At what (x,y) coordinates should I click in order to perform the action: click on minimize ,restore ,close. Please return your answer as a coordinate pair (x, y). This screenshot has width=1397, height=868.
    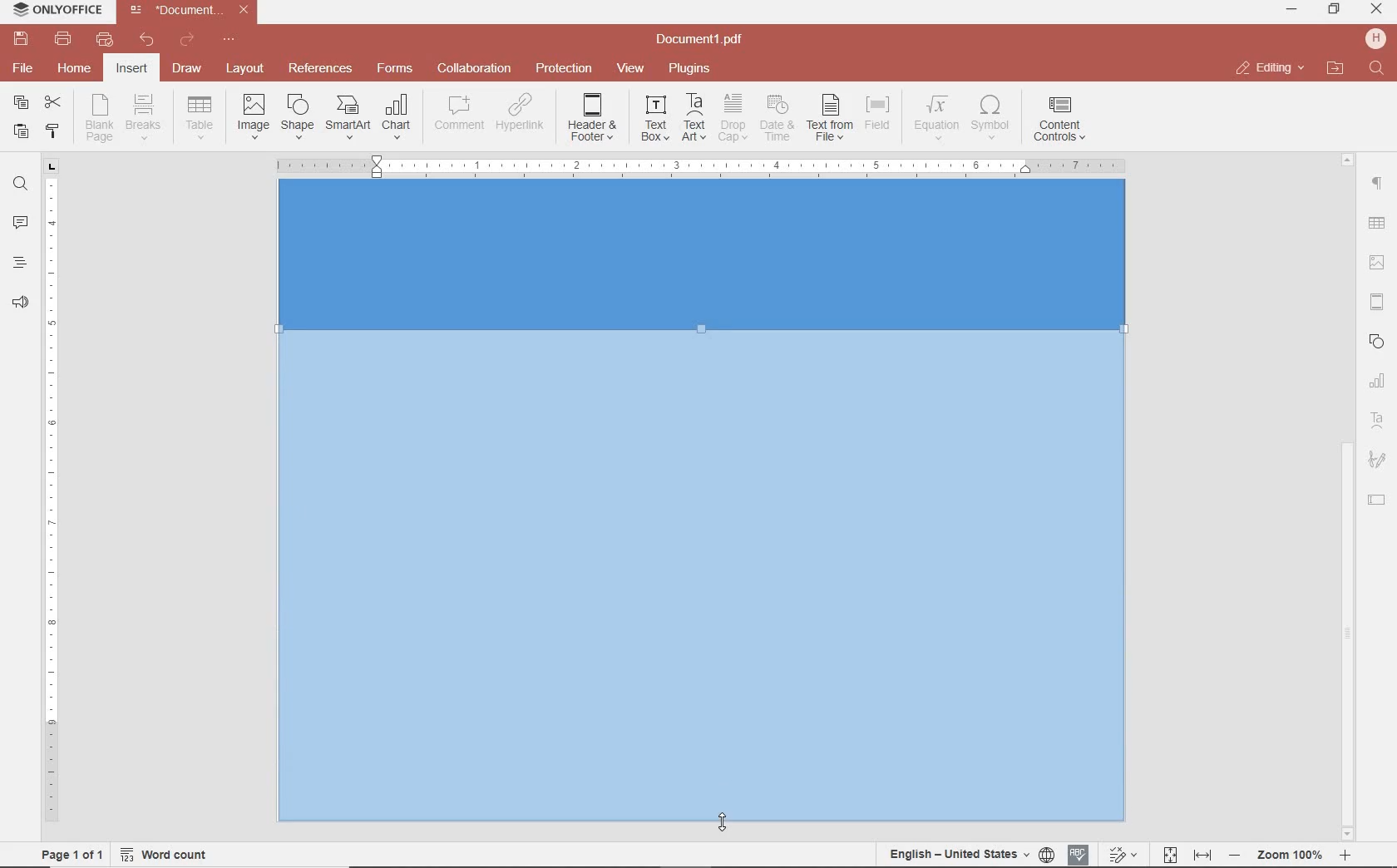
    Looking at the image, I should click on (1380, 10).